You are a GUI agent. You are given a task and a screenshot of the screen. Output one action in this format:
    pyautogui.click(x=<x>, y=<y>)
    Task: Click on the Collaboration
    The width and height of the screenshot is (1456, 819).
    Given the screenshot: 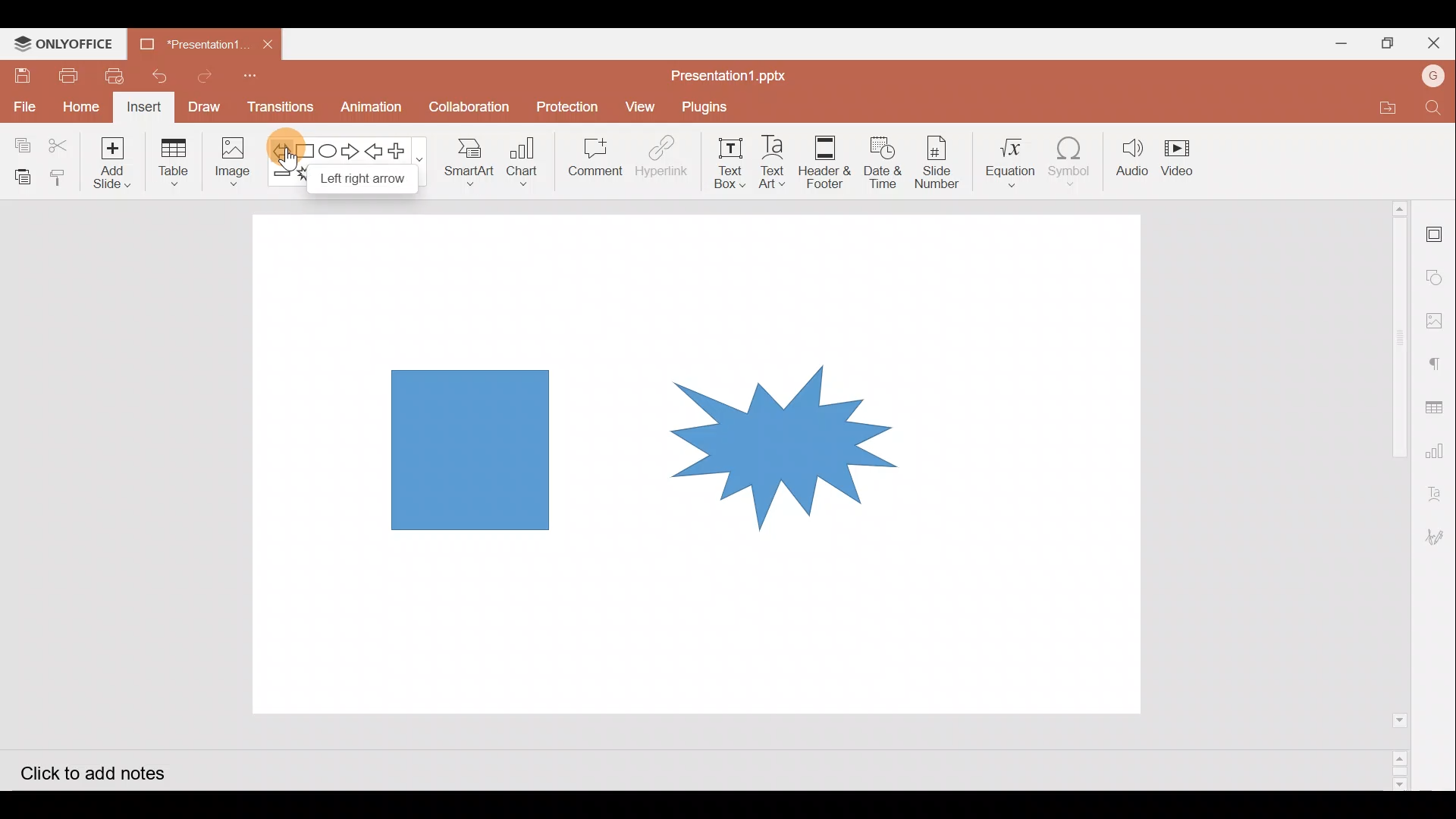 What is the action you would take?
    pyautogui.click(x=469, y=102)
    